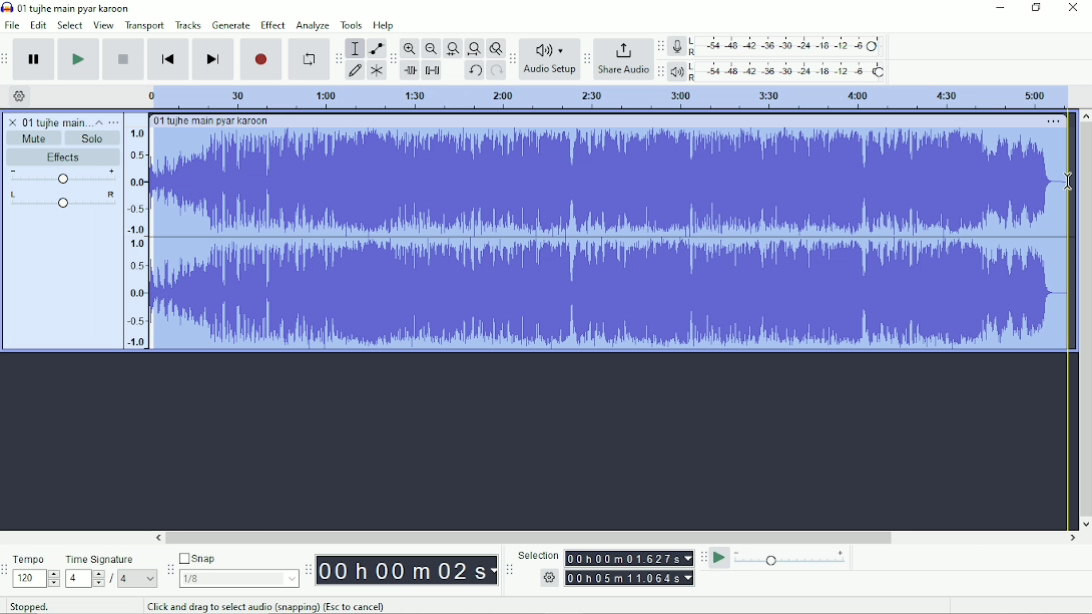  Describe the element at coordinates (375, 47) in the screenshot. I see `Envelope tool` at that location.